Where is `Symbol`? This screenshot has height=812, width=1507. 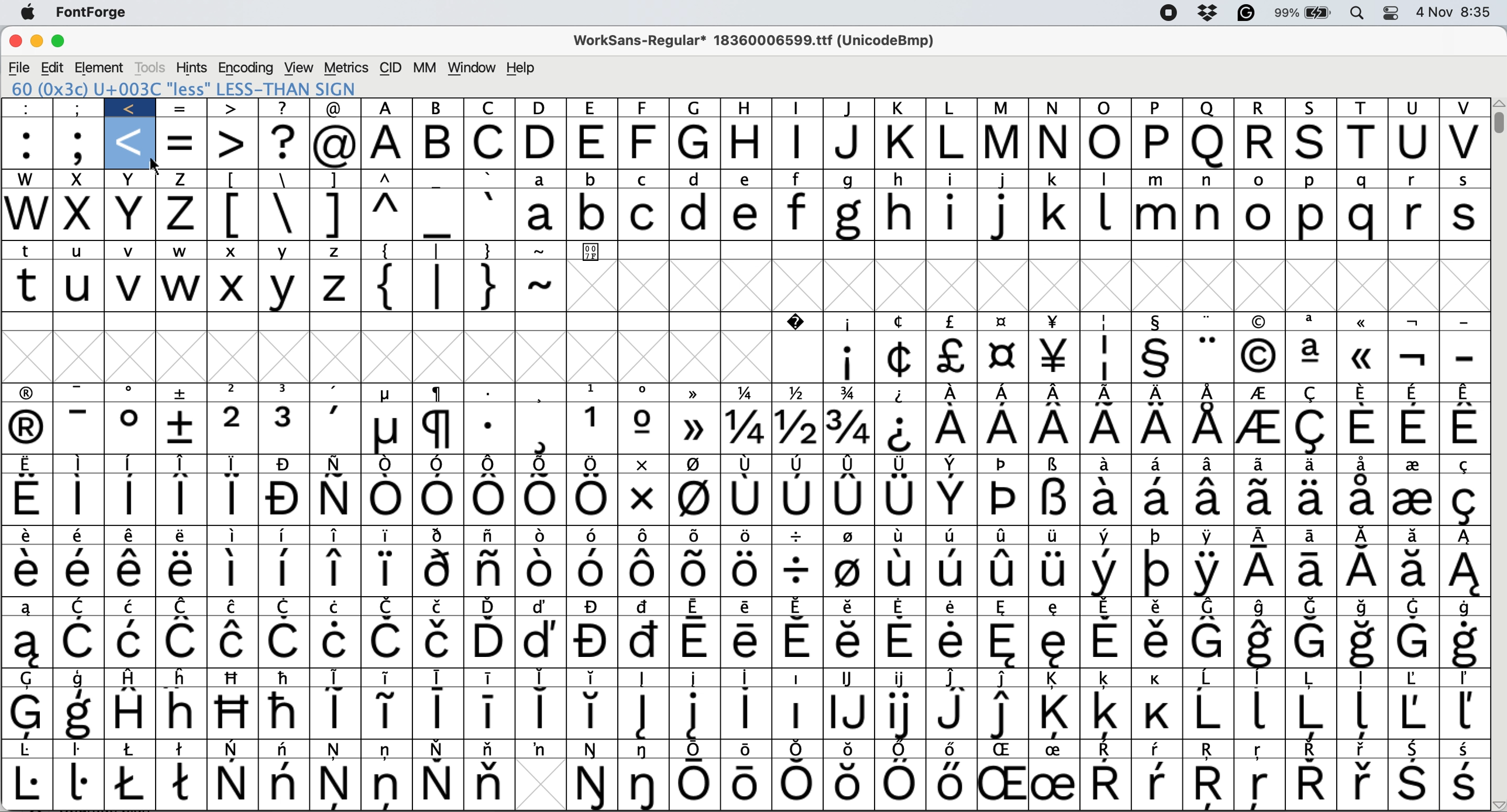
Symbol is located at coordinates (1413, 749).